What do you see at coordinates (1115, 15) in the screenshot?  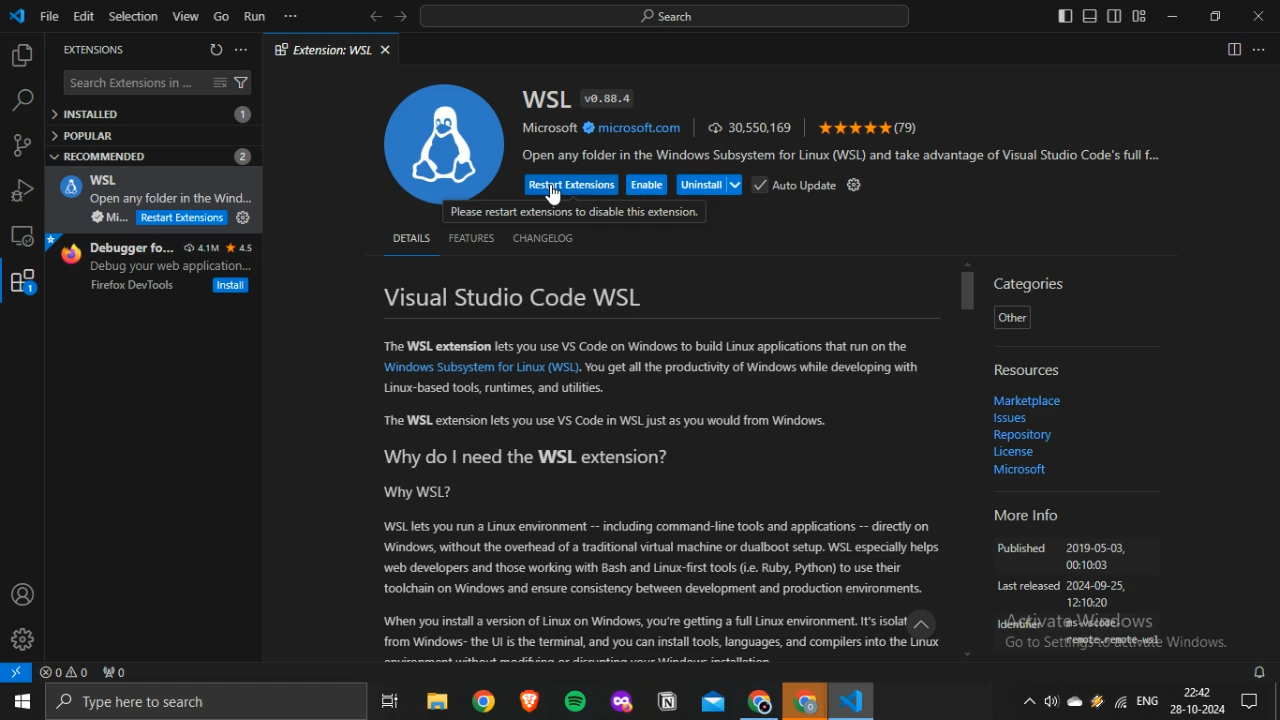 I see `toggle secondary sidebar` at bounding box center [1115, 15].